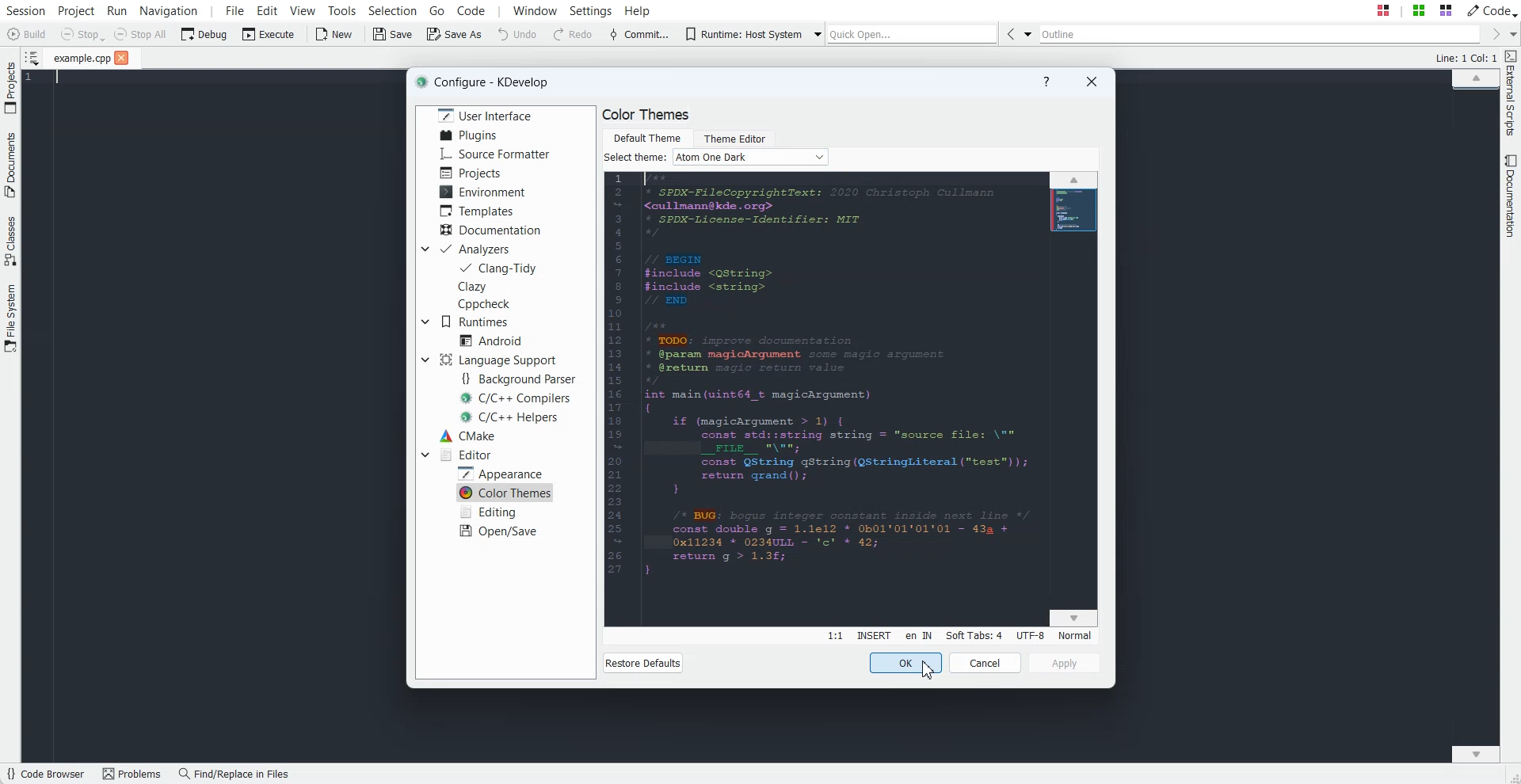 Image resolution: width=1521 pixels, height=784 pixels. I want to click on Problems, so click(134, 774).